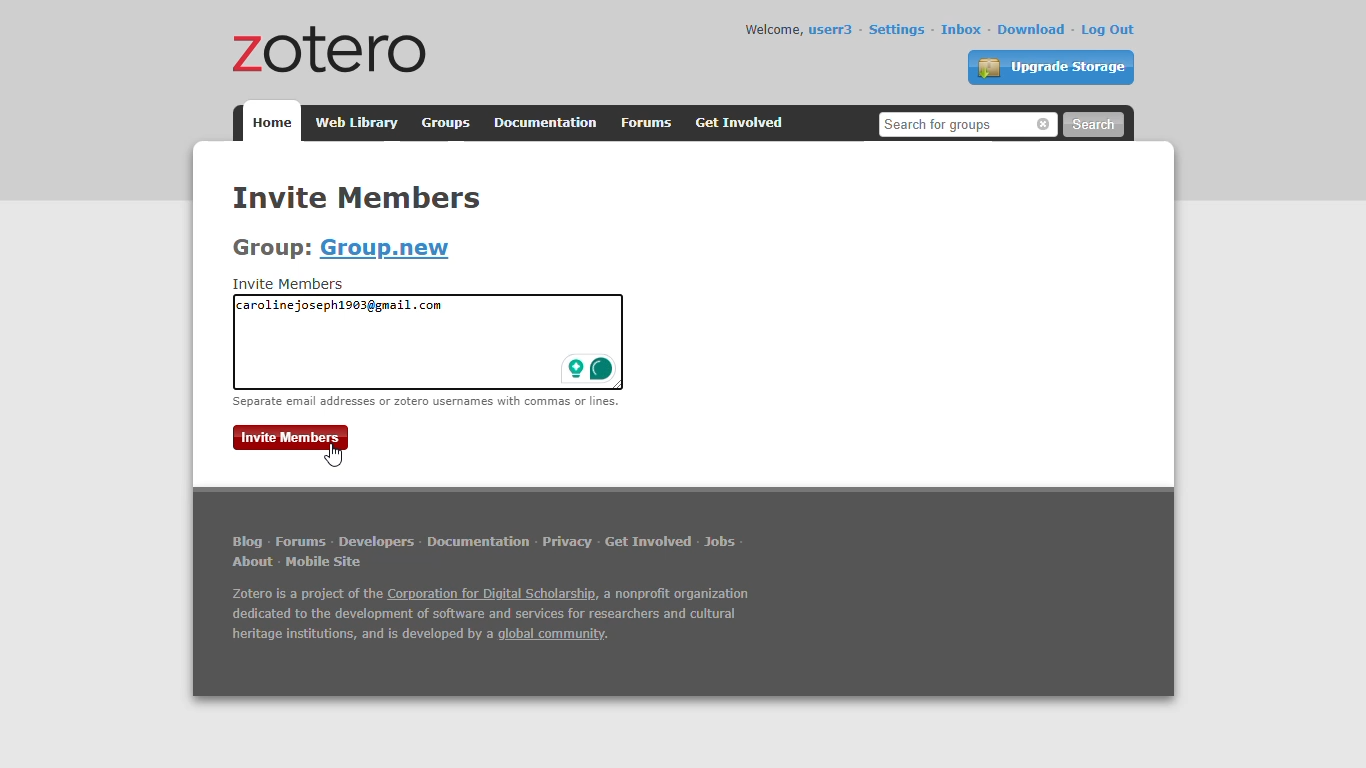 The width and height of the screenshot is (1366, 768). I want to click on group: Group.new, so click(341, 248).